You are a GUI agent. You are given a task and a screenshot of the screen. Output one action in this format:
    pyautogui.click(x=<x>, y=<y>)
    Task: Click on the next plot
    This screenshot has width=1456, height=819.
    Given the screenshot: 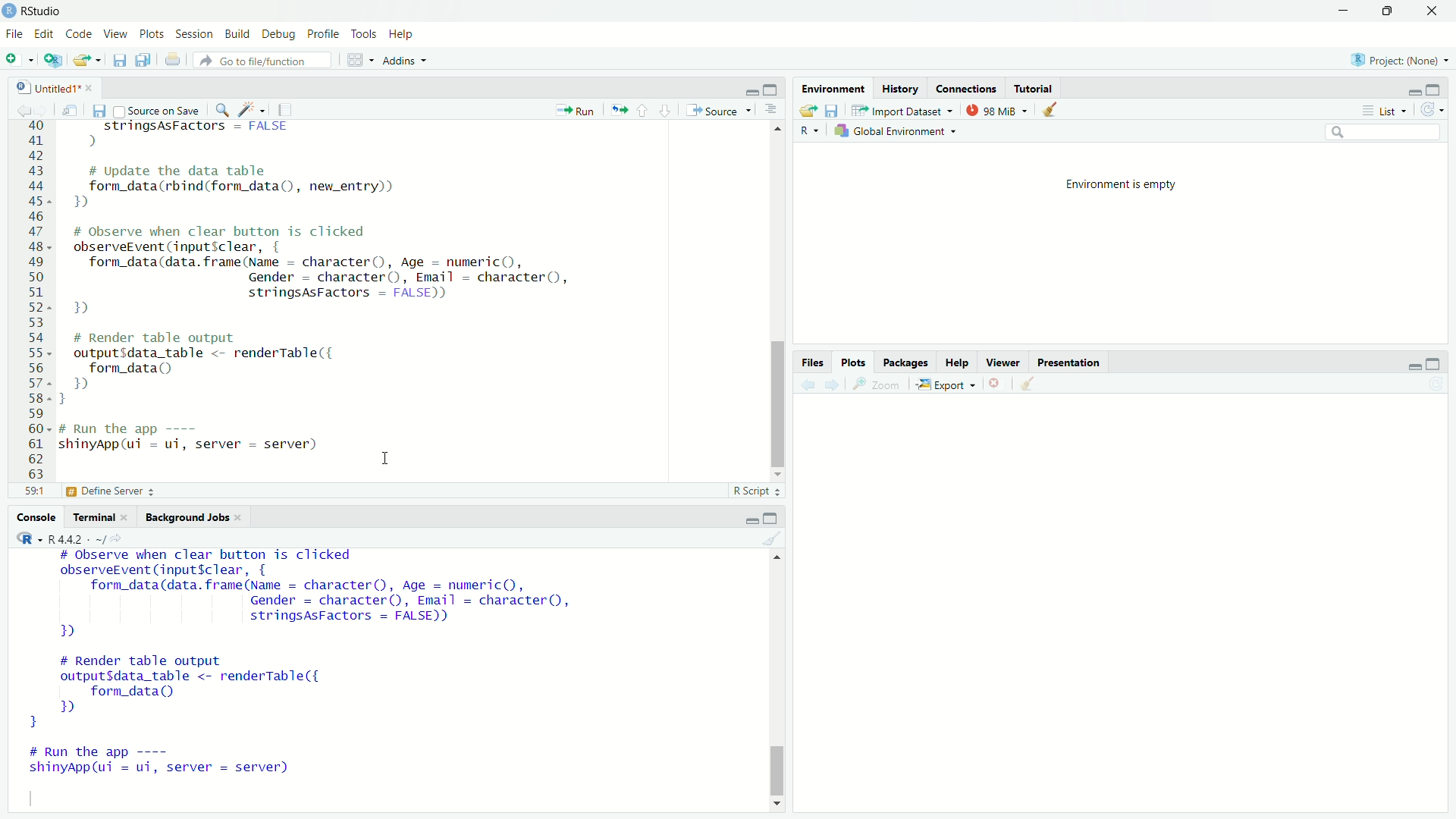 What is the action you would take?
    pyautogui.click(x=833, y=385)
    